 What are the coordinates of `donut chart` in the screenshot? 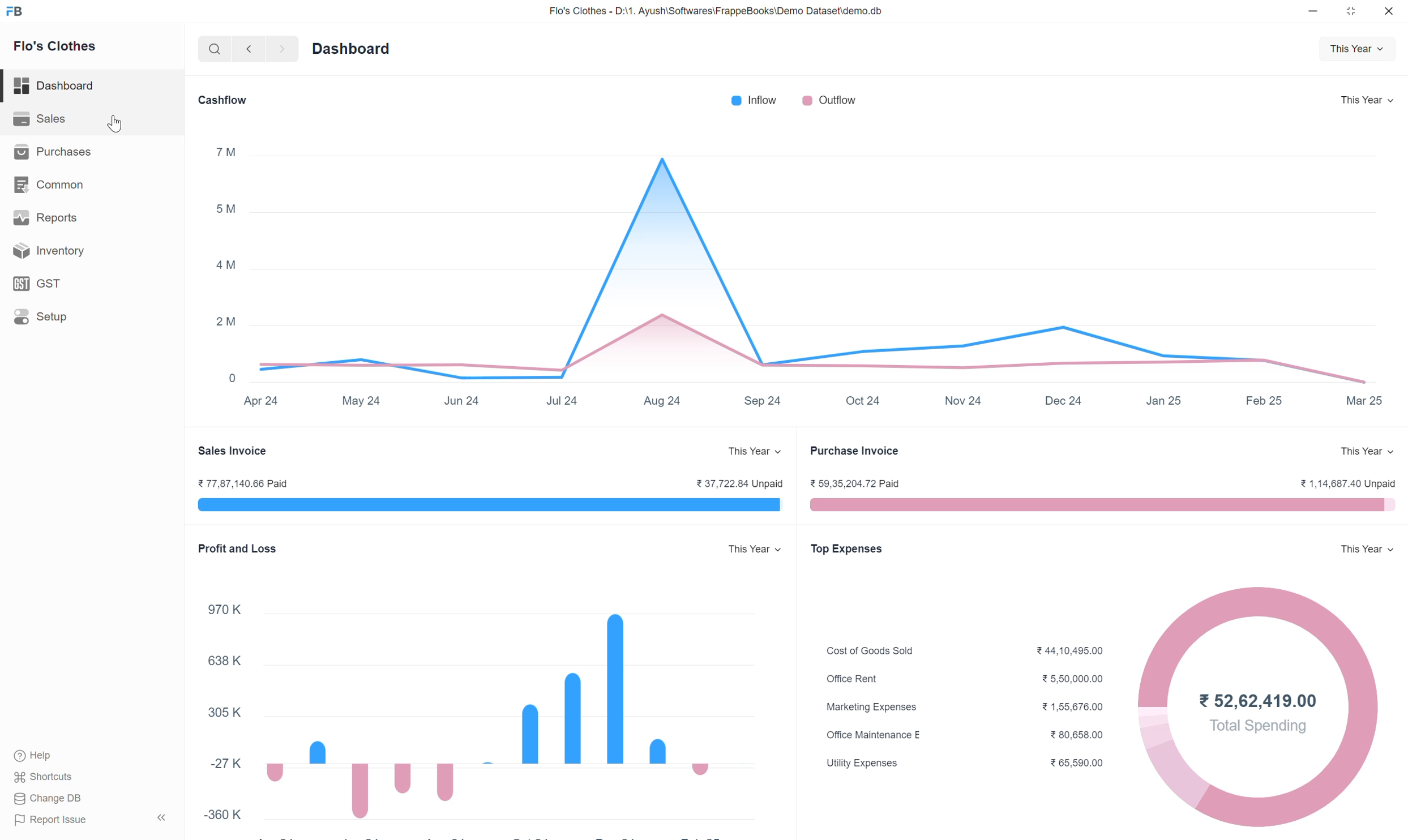 It's located at (1158, 711).